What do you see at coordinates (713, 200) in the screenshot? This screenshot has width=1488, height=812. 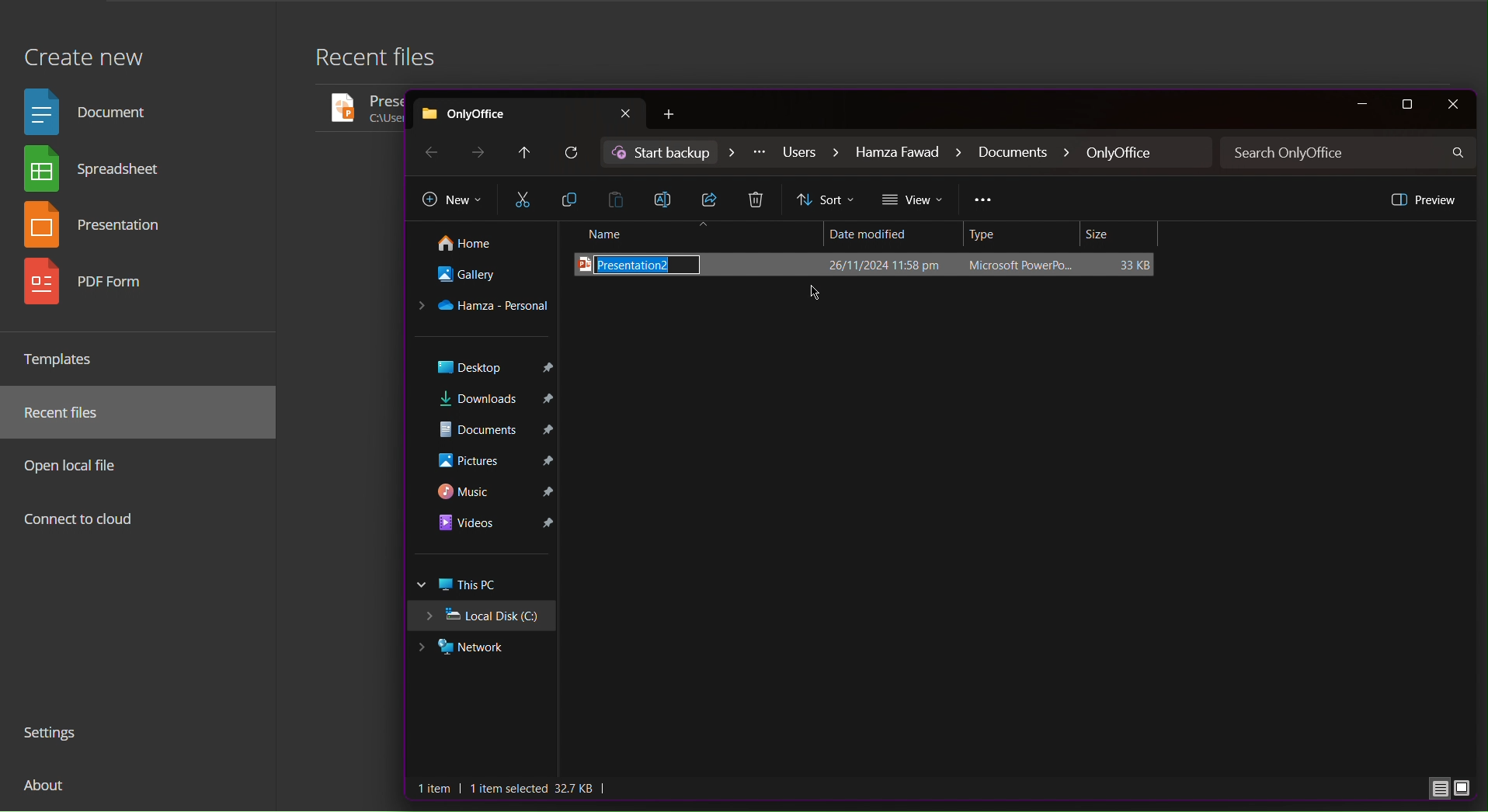 I see `Share` at bounding box center [713, 200].